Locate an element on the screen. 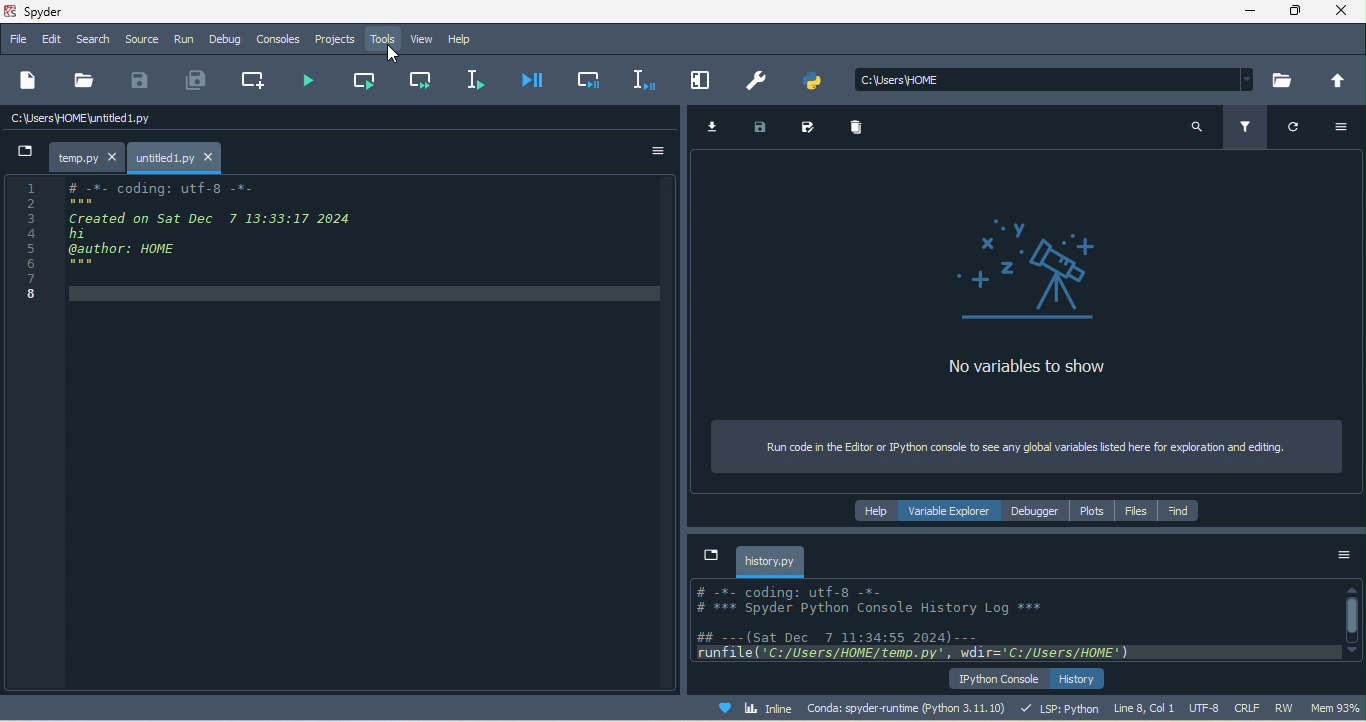 The height and width of the screenshot is (722, 1366). debug file is located at coordinates (539, 80).